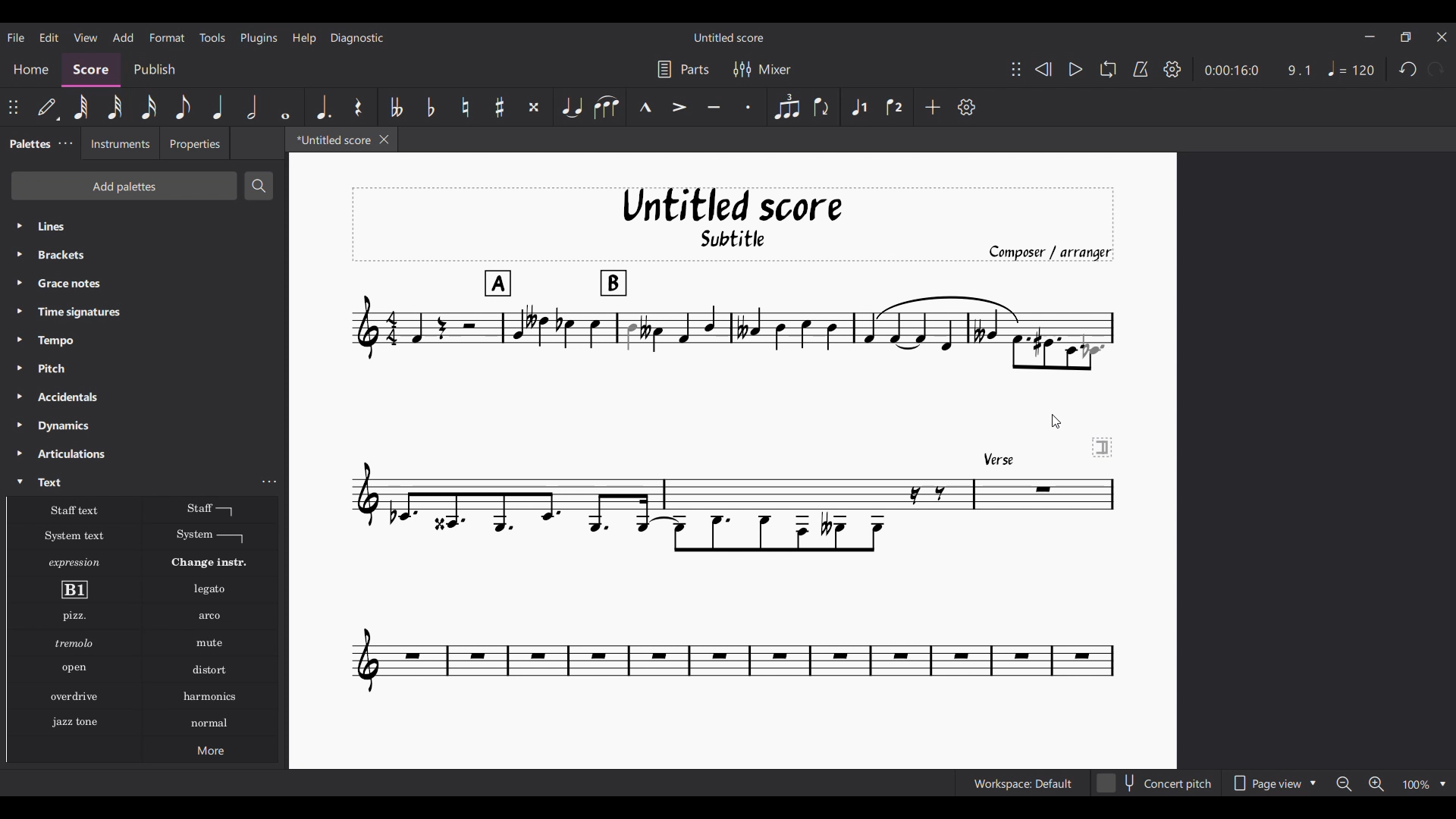 Image resolution: width=1456 pixels, height=819 pixels. Describe the element at coordinates (1272, 783) in the screenshot. I see `Page view options` at that location.